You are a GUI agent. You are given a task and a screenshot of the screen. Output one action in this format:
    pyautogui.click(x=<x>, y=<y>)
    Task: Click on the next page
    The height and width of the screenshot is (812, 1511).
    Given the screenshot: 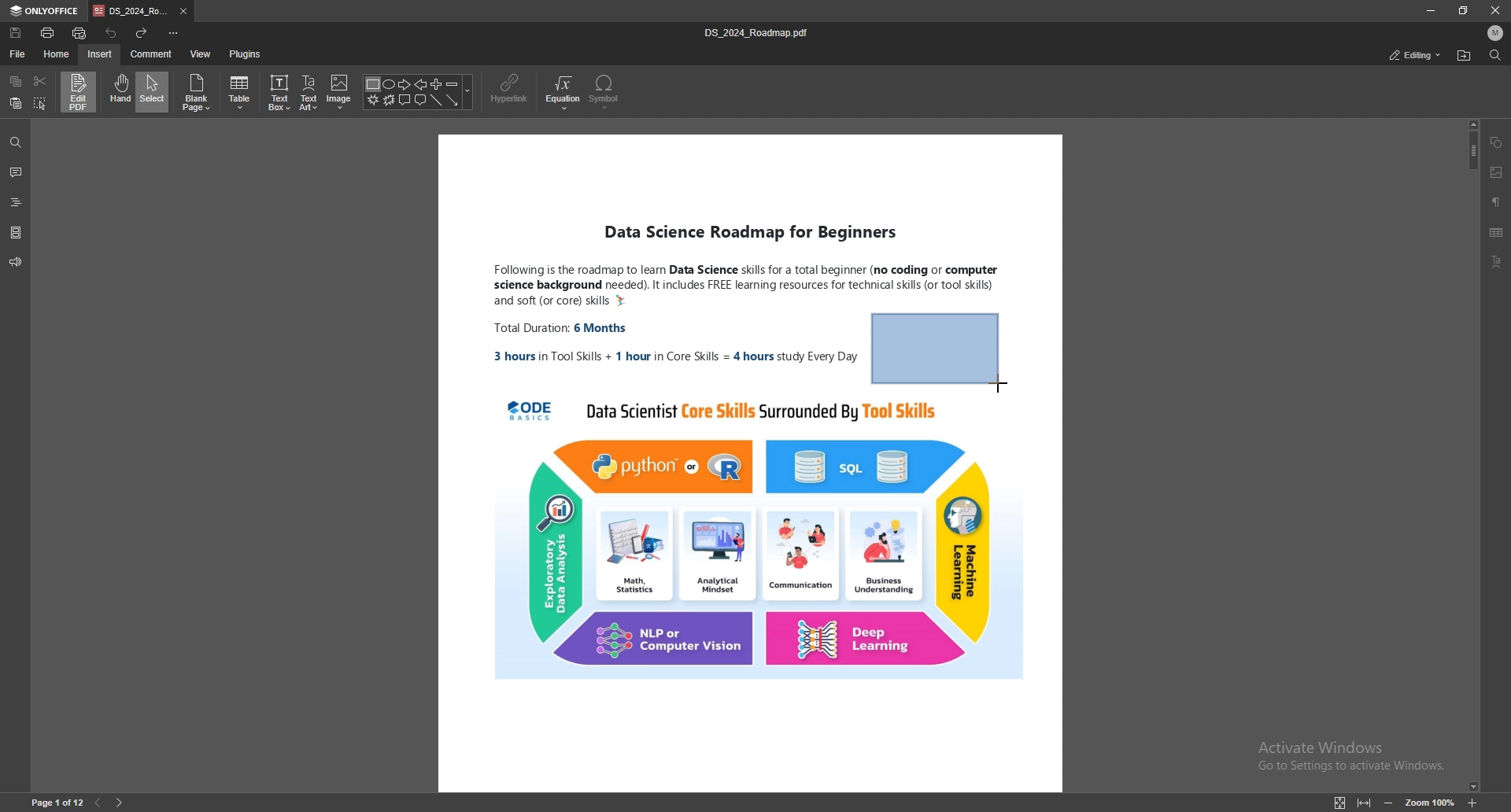 What is the action you would take?
    pyautogui.click(x=124, y=800)
    